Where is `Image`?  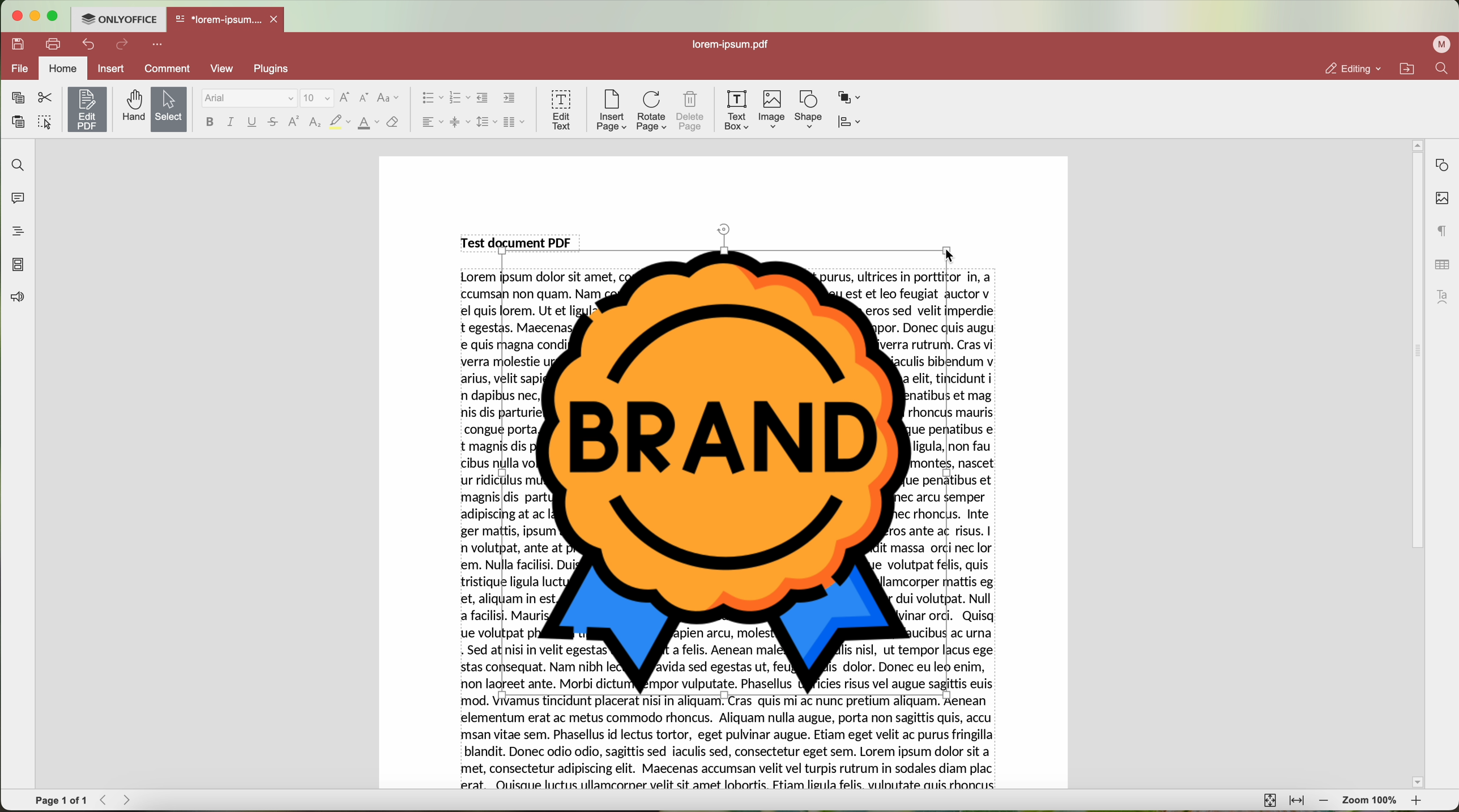 Image is located at coordinates (723, 474).